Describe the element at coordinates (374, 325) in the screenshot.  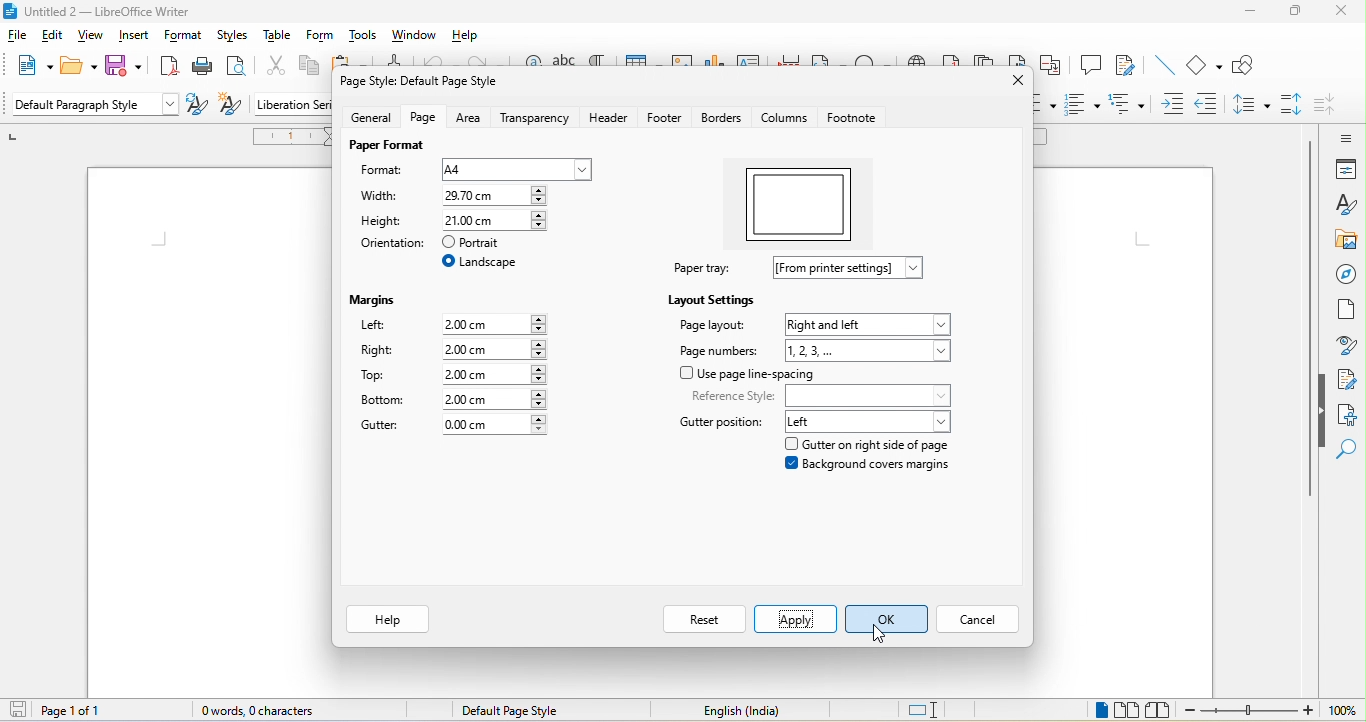
I see `left` at that location.